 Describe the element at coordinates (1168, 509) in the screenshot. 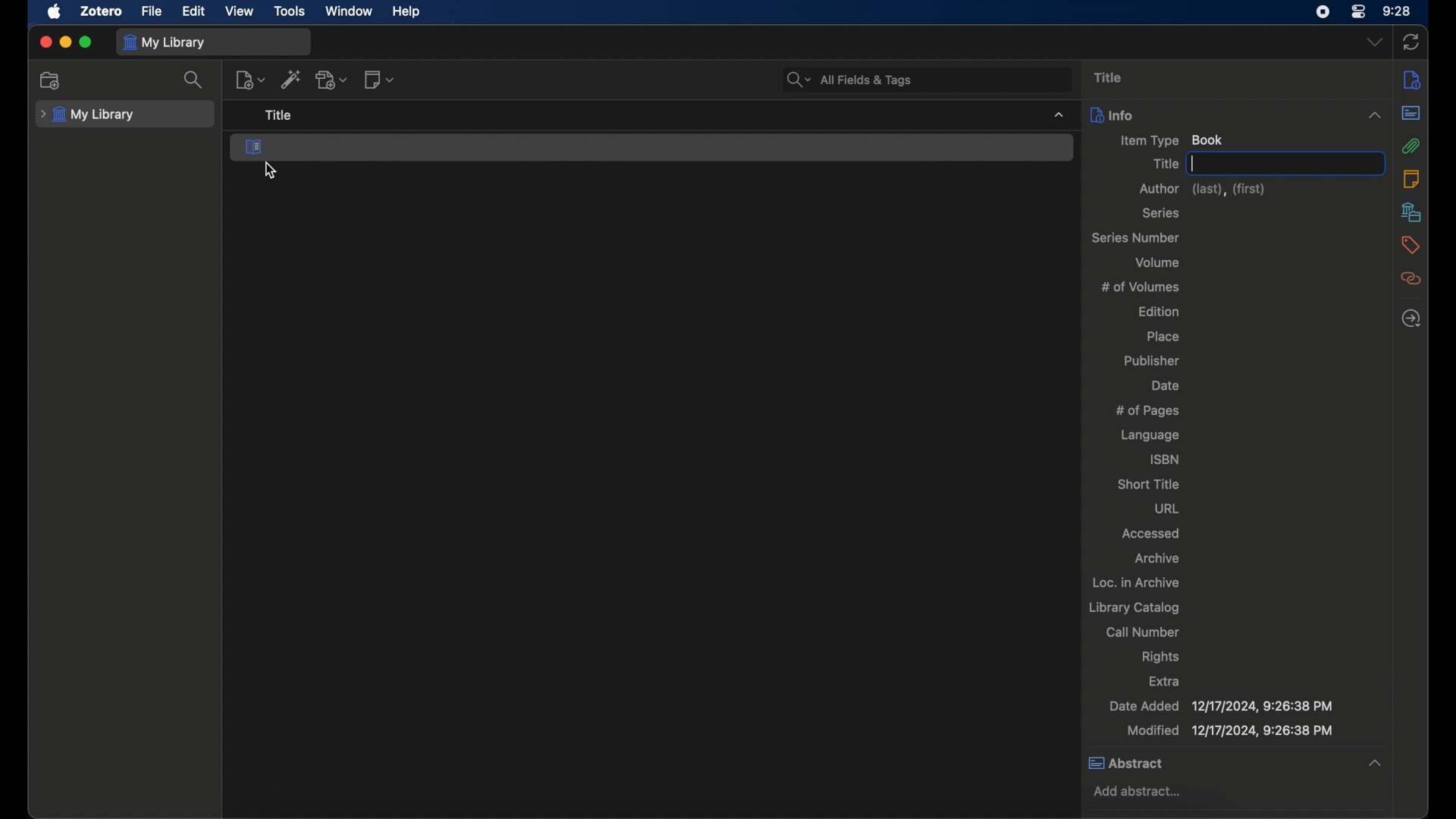

I see `url` at that location.